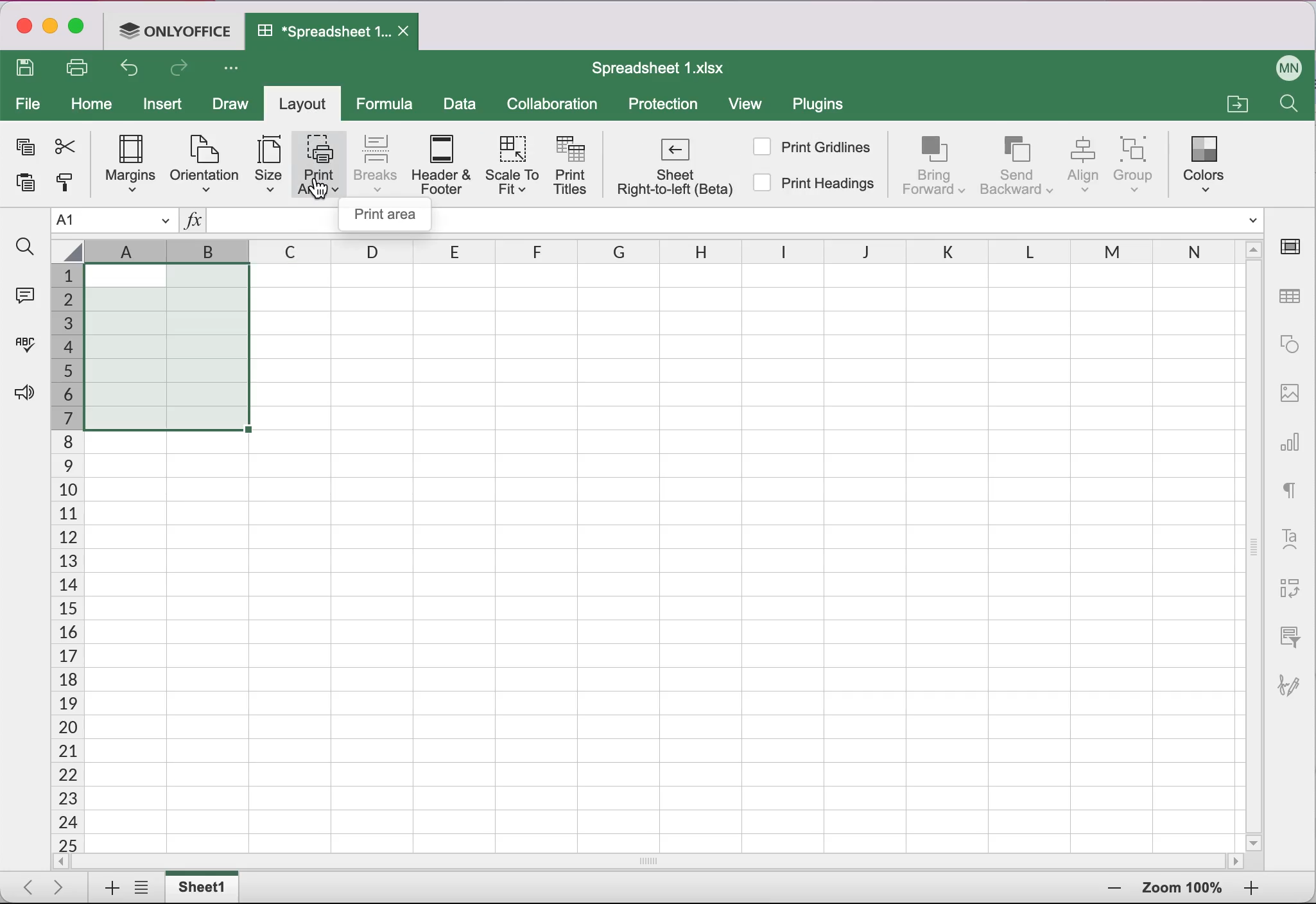 This screenshot has width=1316, height=904. I want to click on pivot table, so click(1287, 589).